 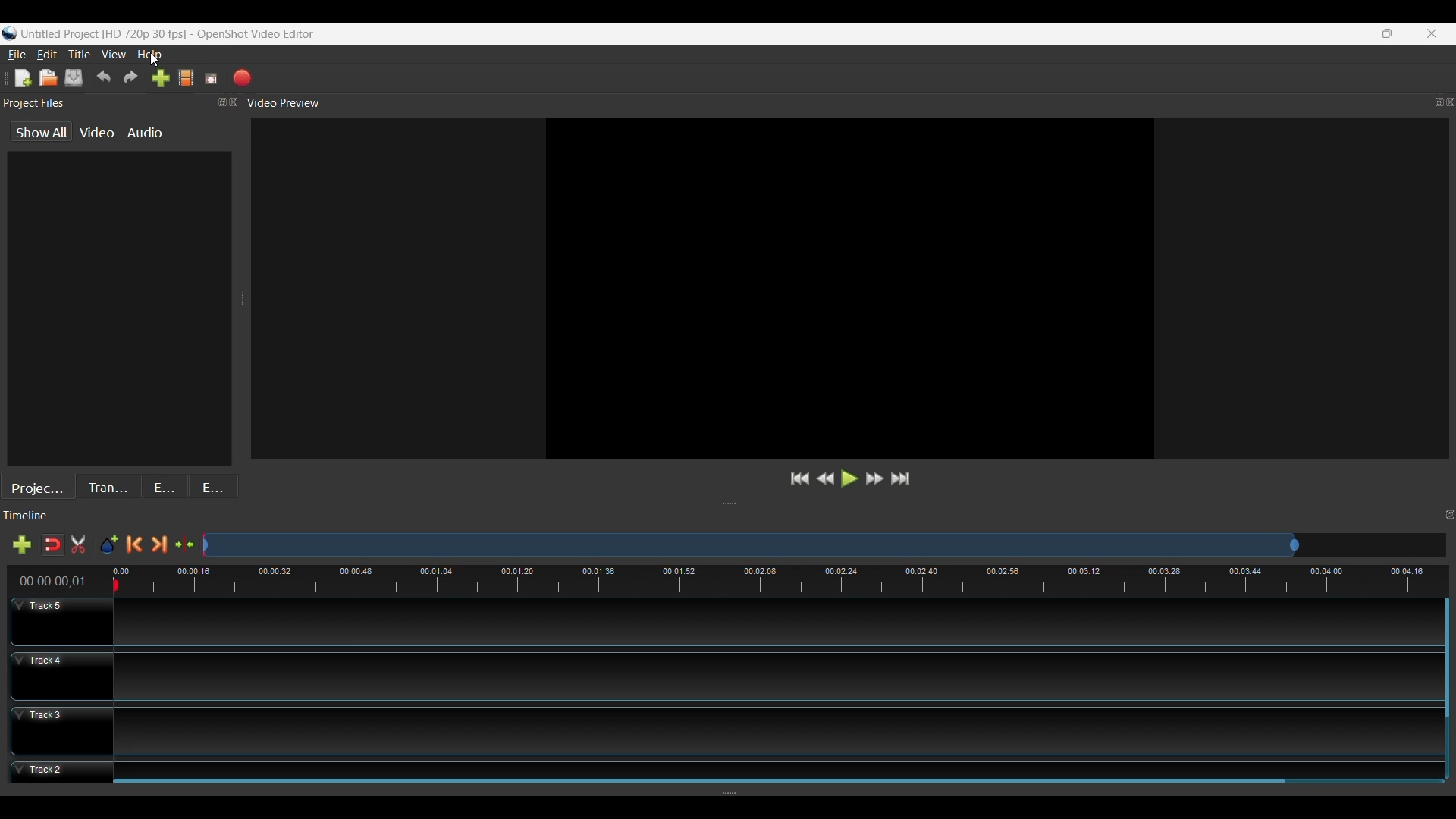 I want to click on Track Header, so click(x=61, y=731).